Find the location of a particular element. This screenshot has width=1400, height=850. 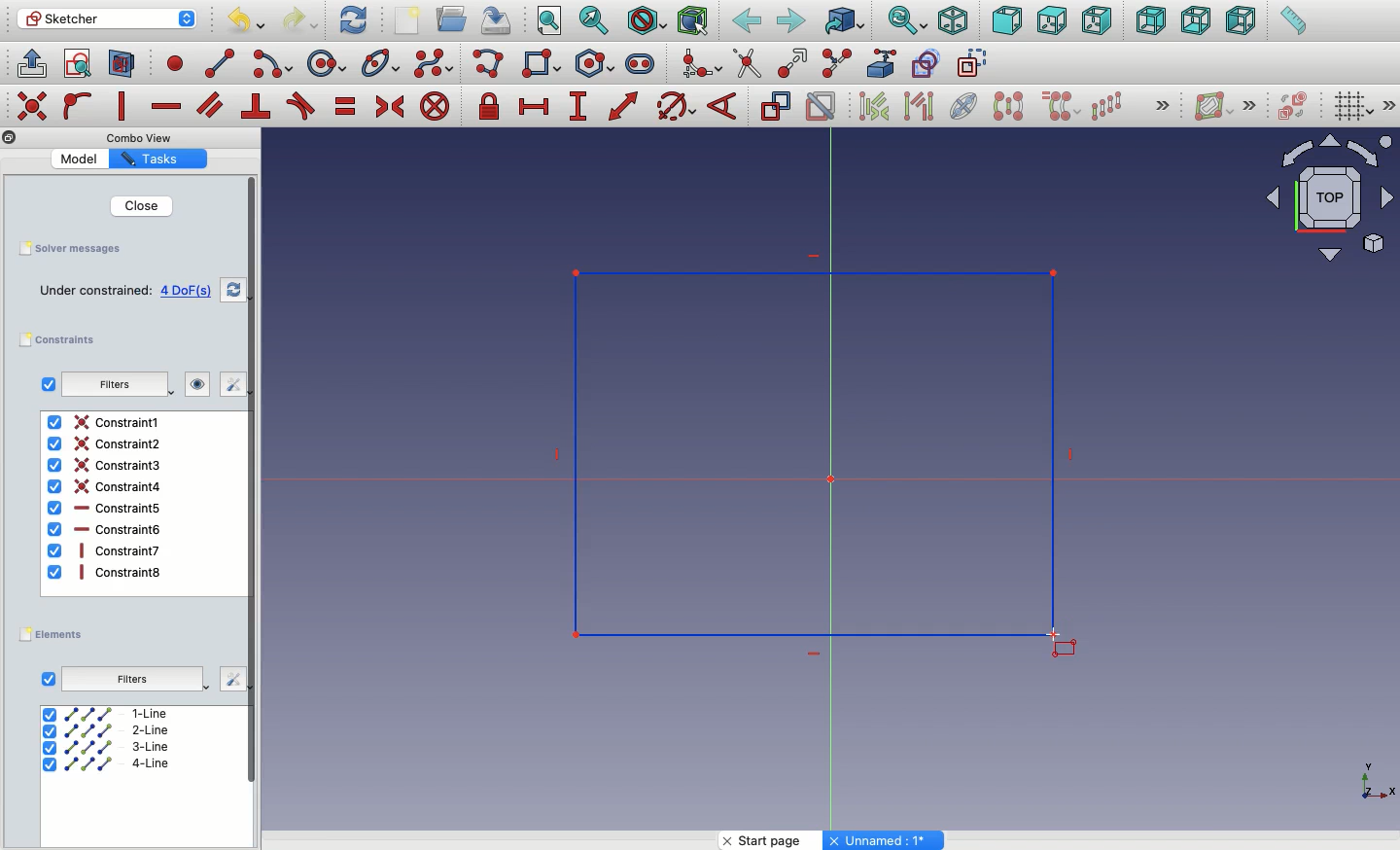

view sketch is located at coordinates (81, 65).